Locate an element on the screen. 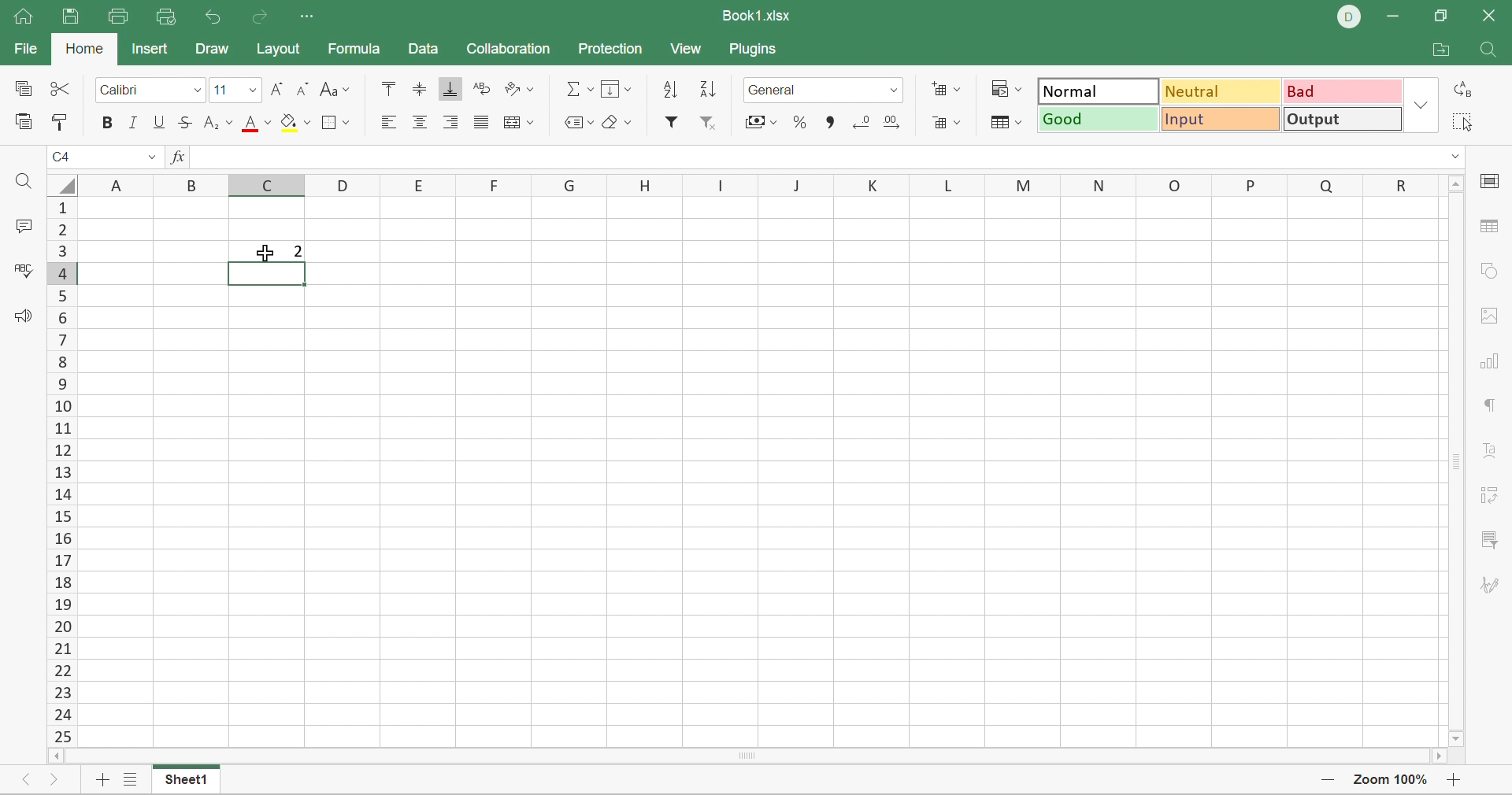 The image size is (1512, 795). Insert cells is located at coordinates (947, 89).